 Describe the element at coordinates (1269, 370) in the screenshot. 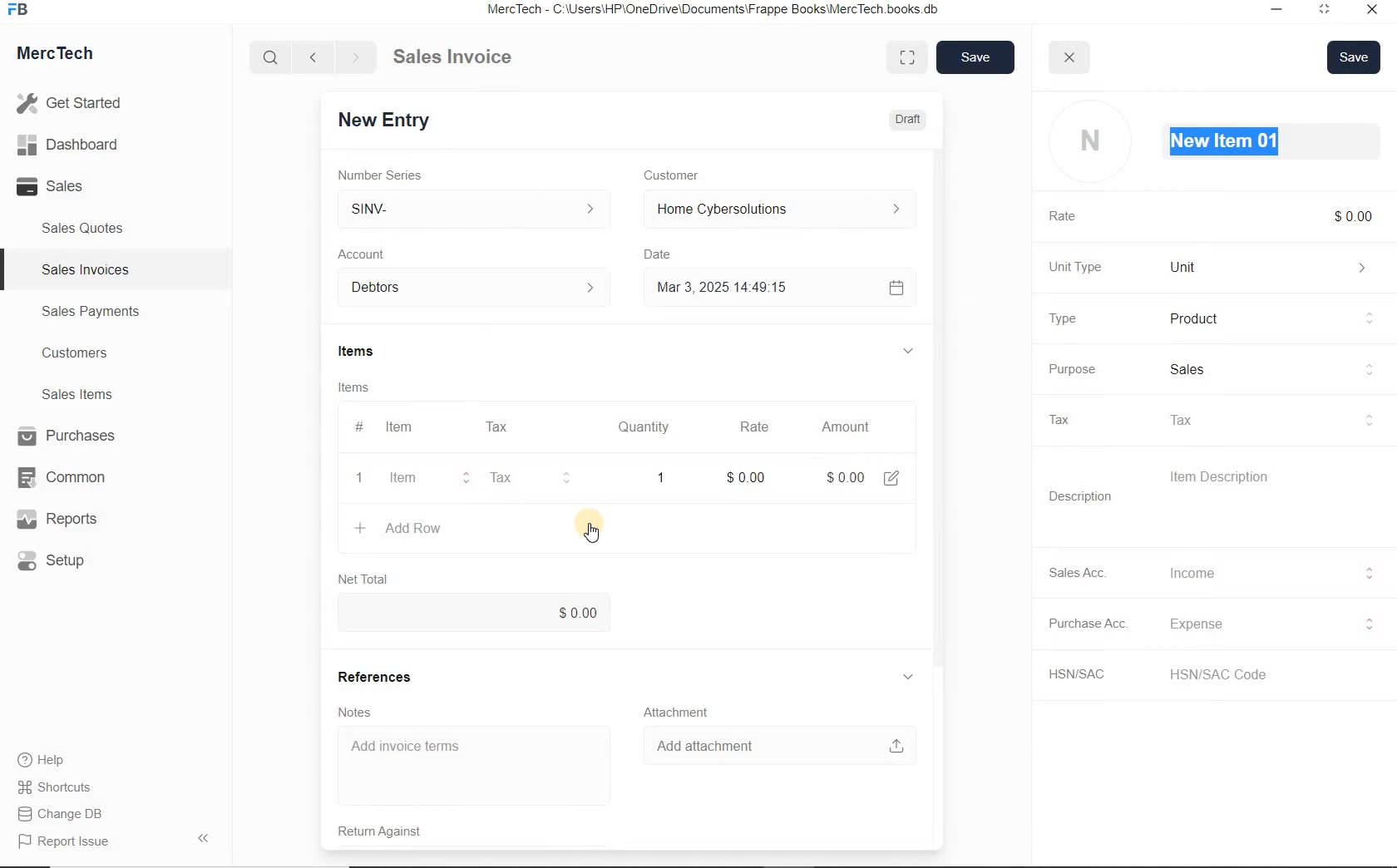

I see `Sales` at that location.